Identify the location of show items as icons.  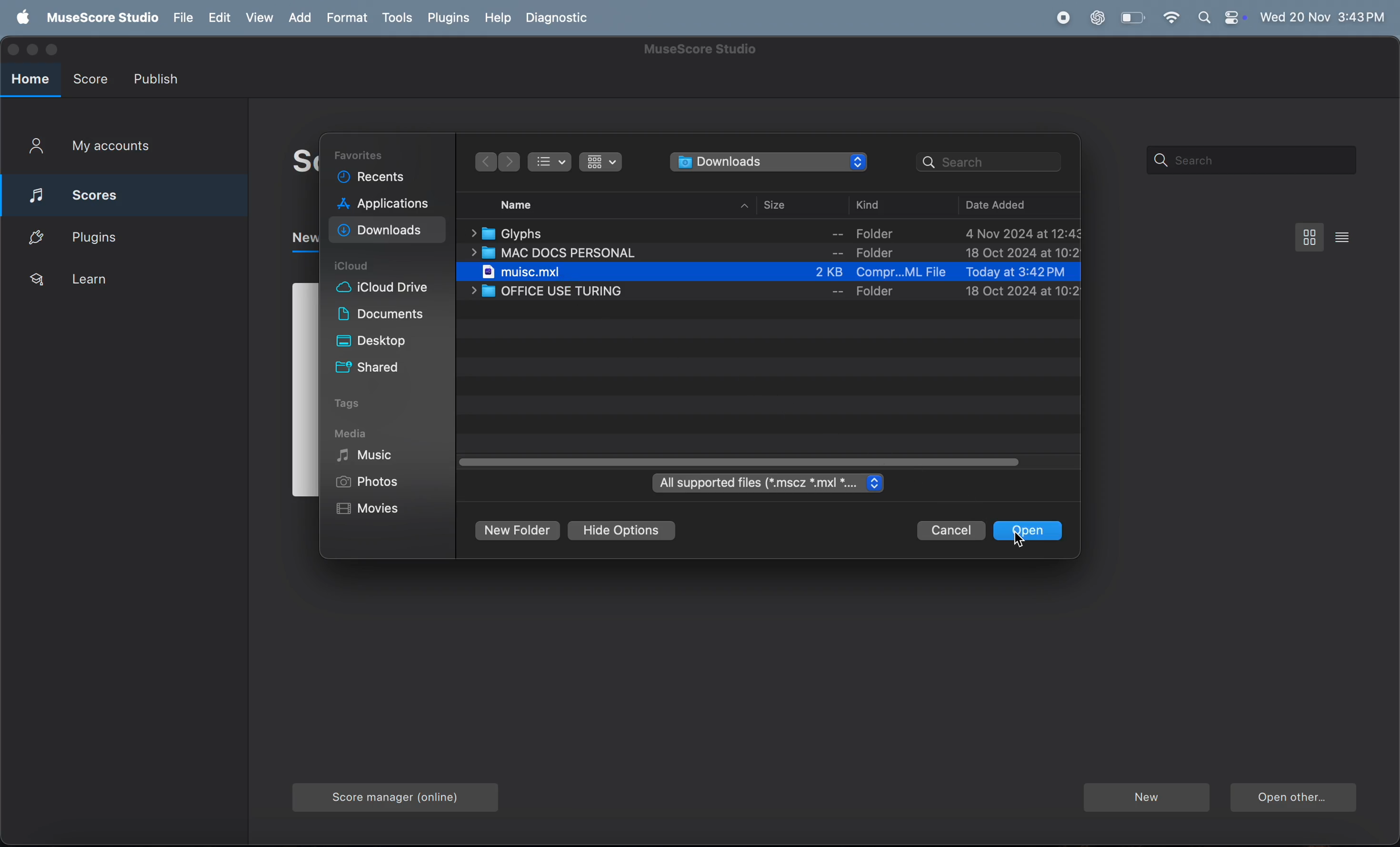
(601, 163).